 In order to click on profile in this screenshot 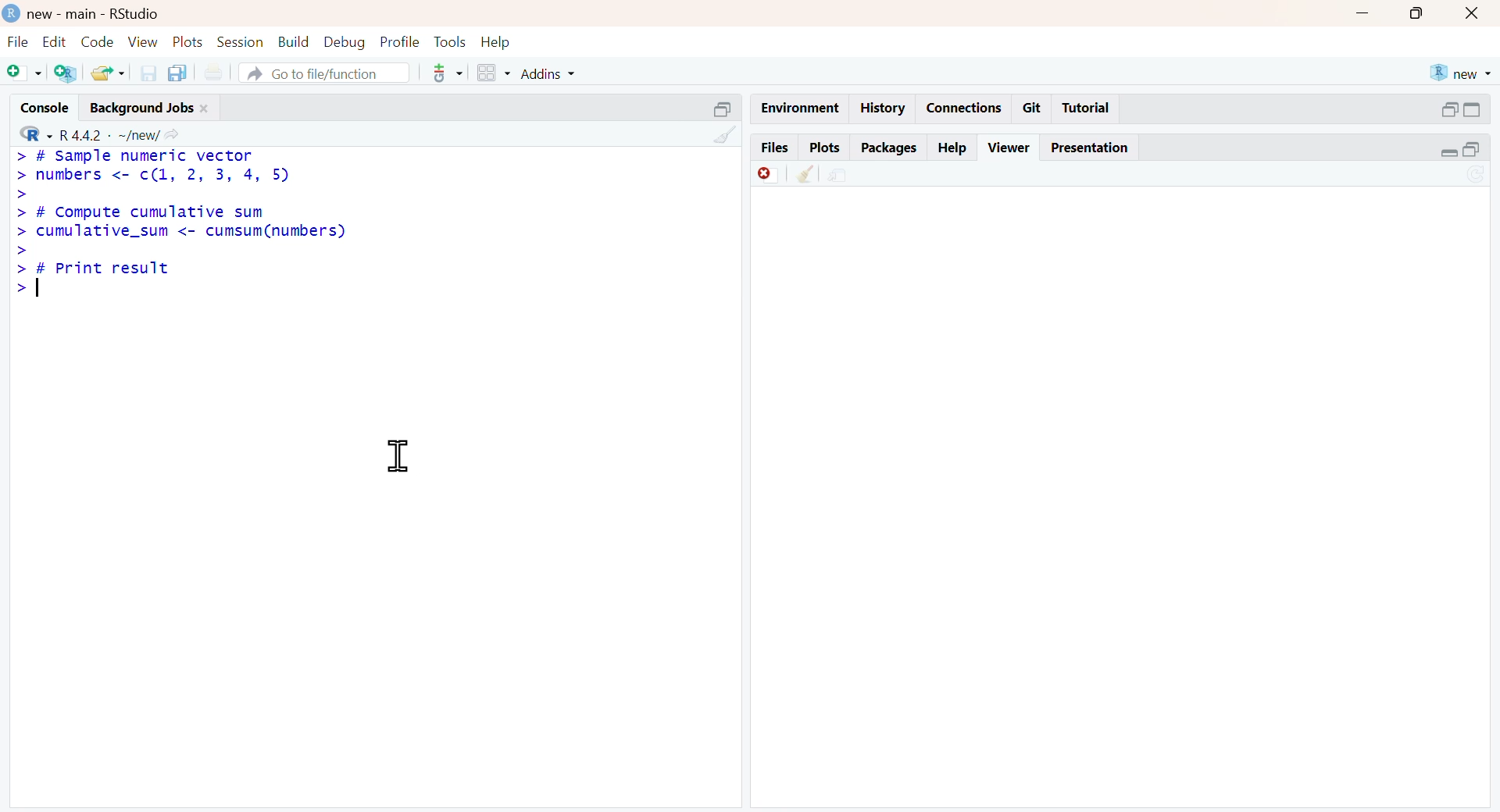, I will do `click(402, 41)`.